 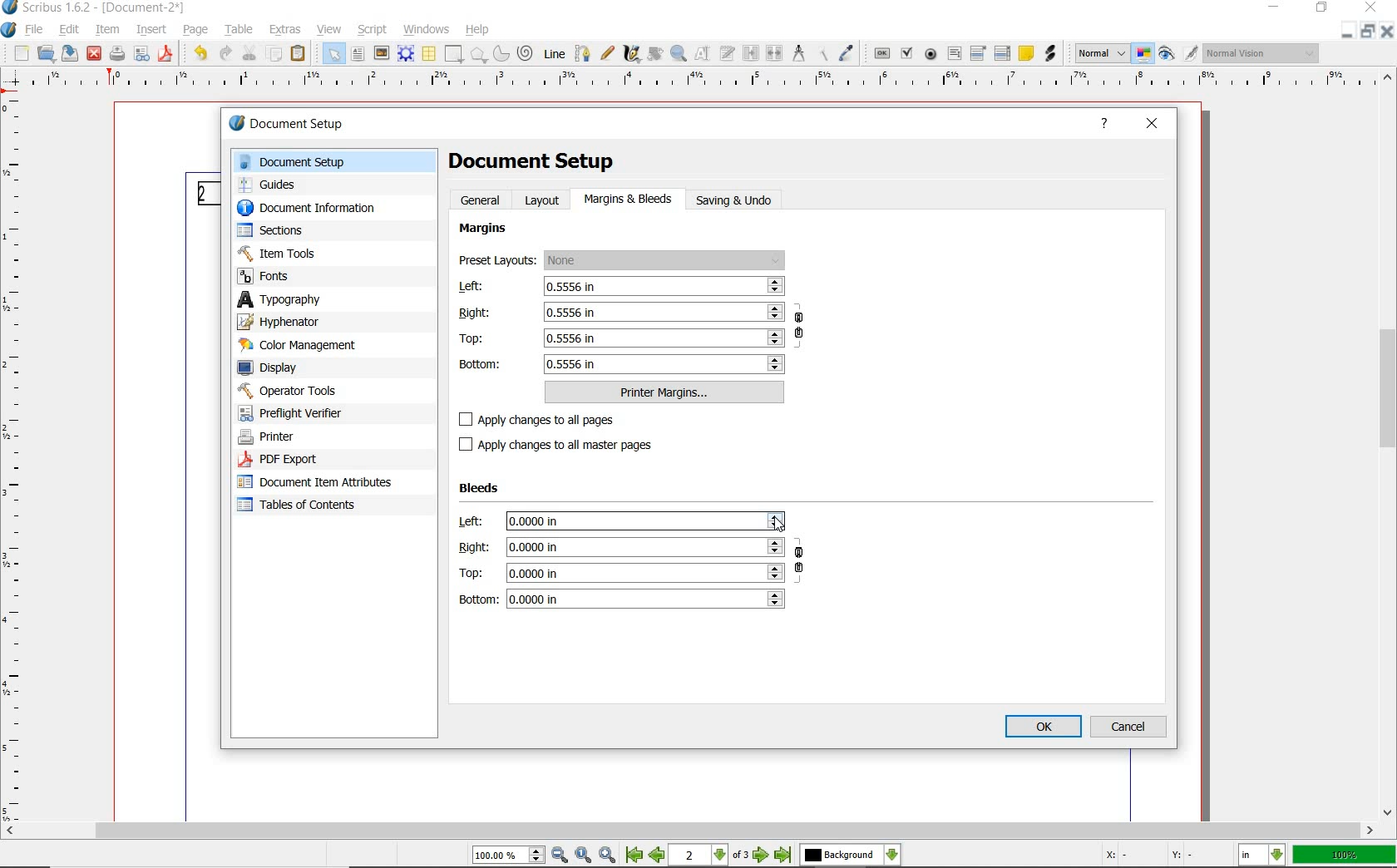 What do you see at coordinates (249, 52) in the screenshot?
I see `cut` at bounding box center [249, 52].